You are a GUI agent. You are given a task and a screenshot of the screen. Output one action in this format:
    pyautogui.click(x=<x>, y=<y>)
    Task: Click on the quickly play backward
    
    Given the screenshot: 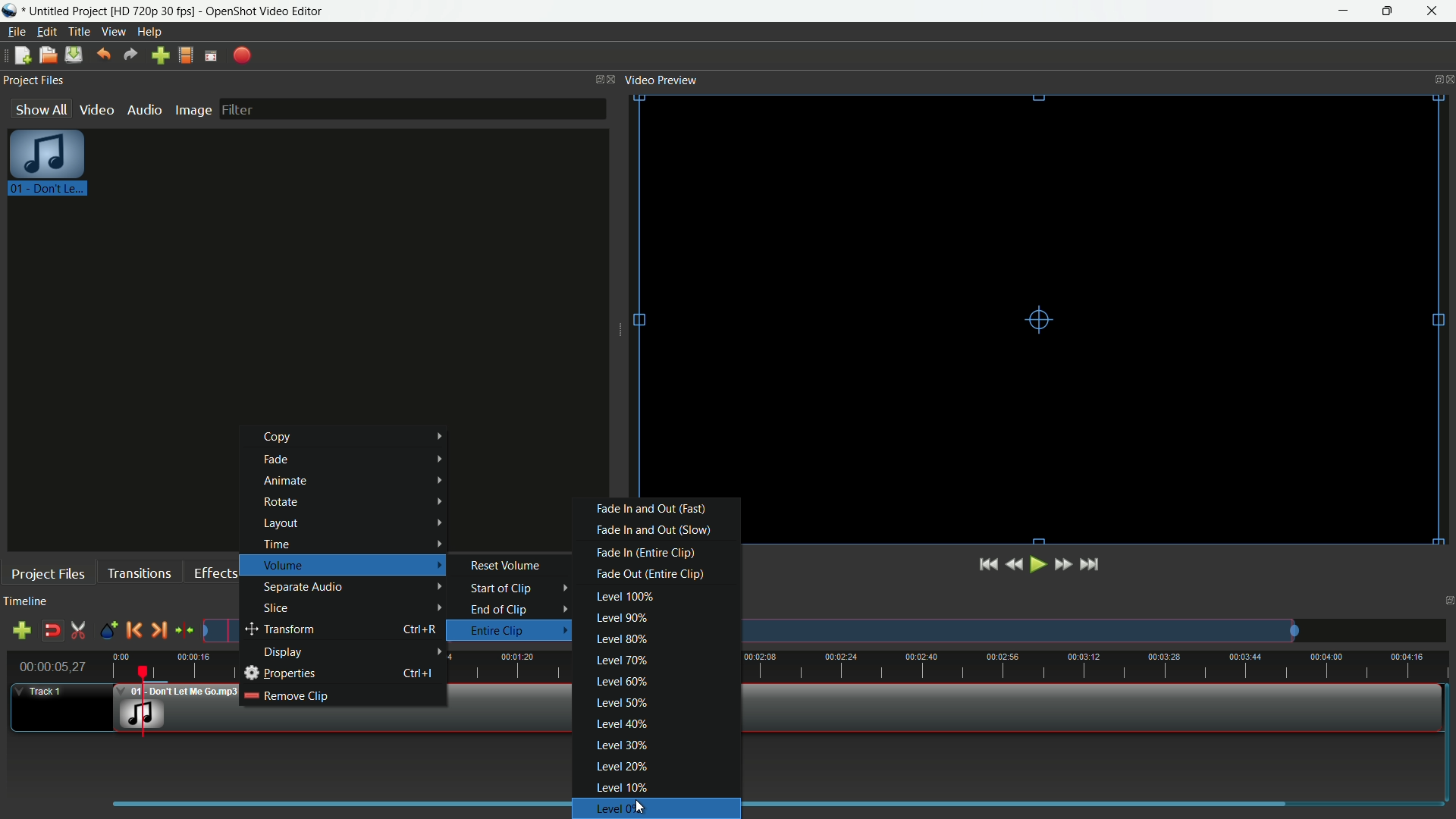 What is the action you would take?
    pyautogui.click(x=1016, y=564)
    